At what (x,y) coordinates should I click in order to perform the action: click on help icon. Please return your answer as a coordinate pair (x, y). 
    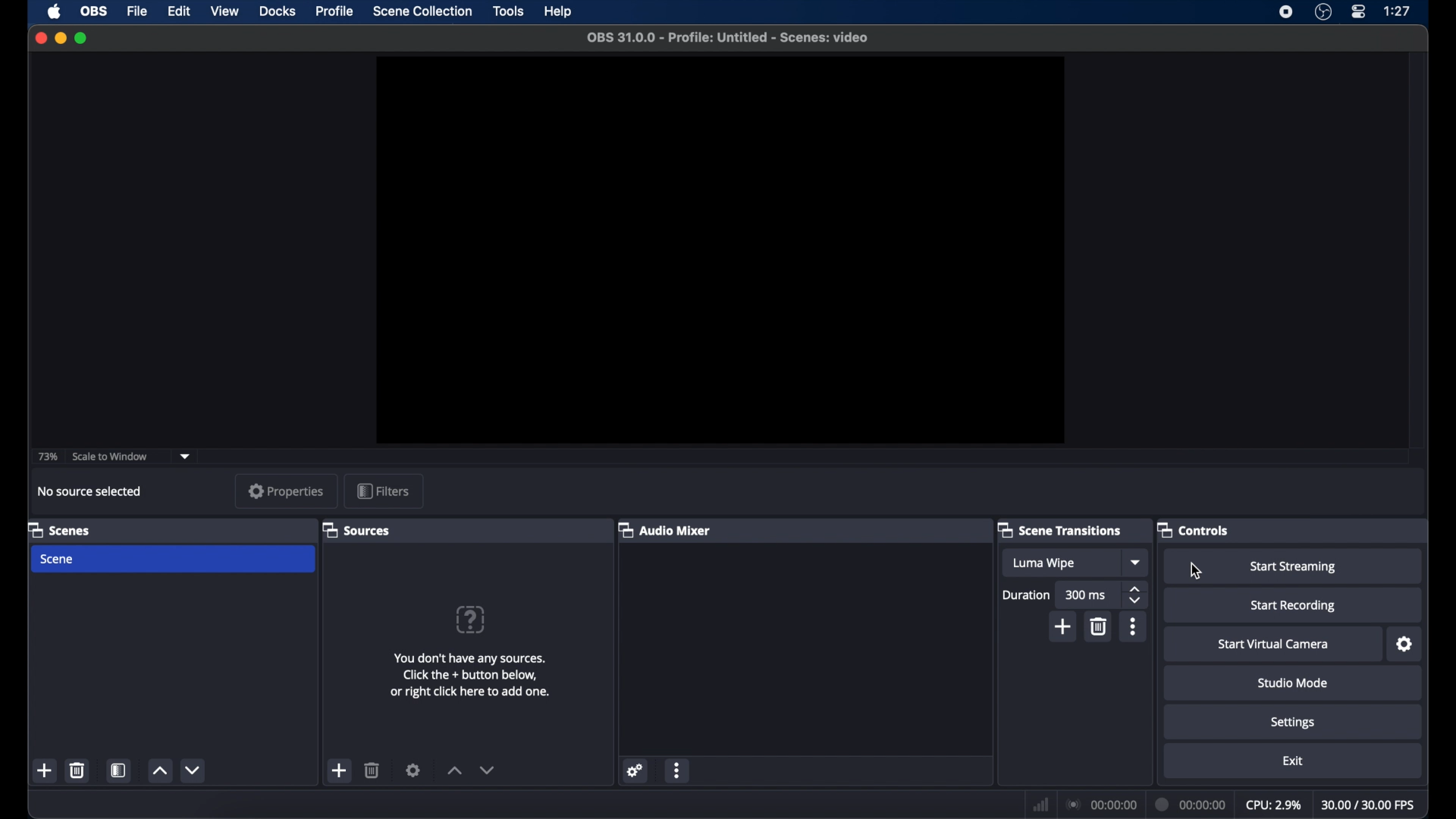
    Looking at the image, I should click on (469, 619).